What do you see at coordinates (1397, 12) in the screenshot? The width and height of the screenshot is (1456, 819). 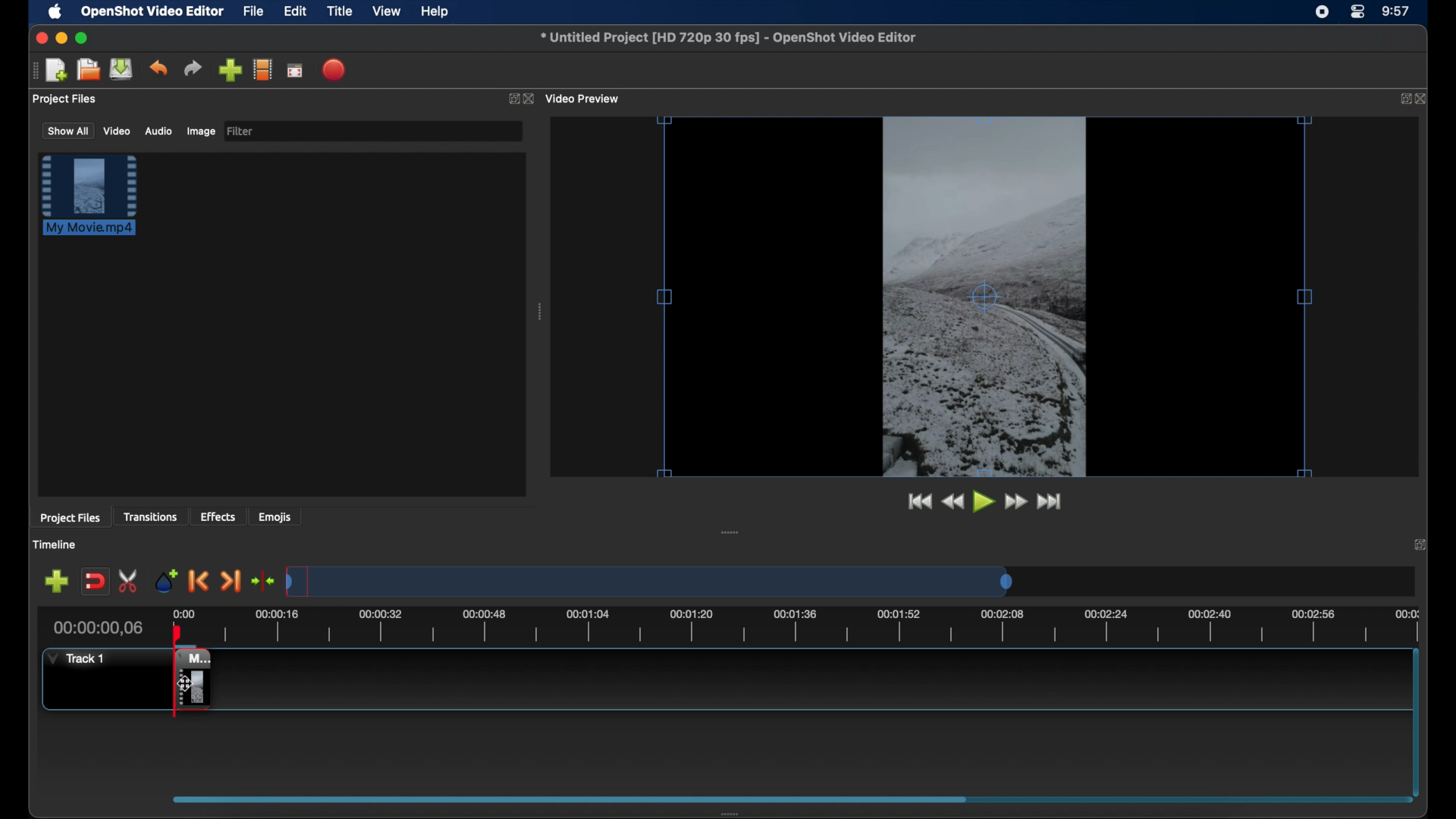 I see `time` at bounding box center [1397, 12].